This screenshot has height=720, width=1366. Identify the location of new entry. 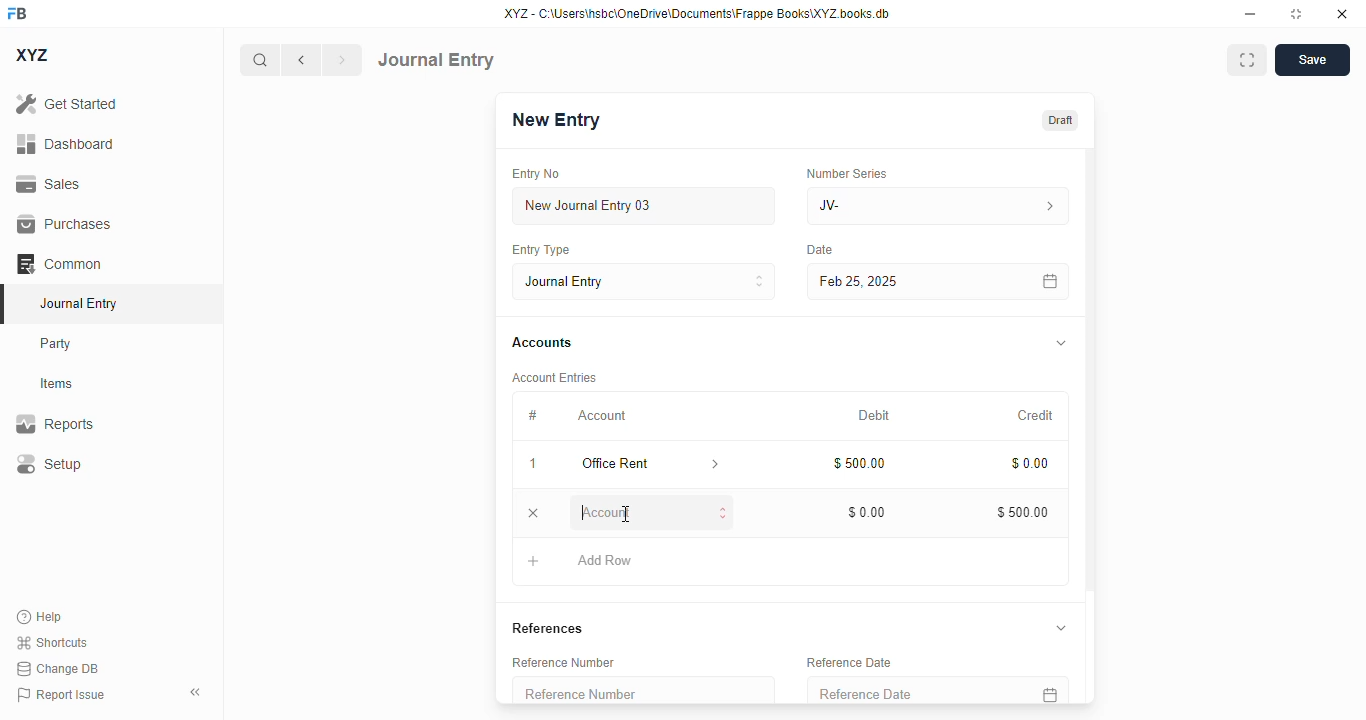
(554, 120).